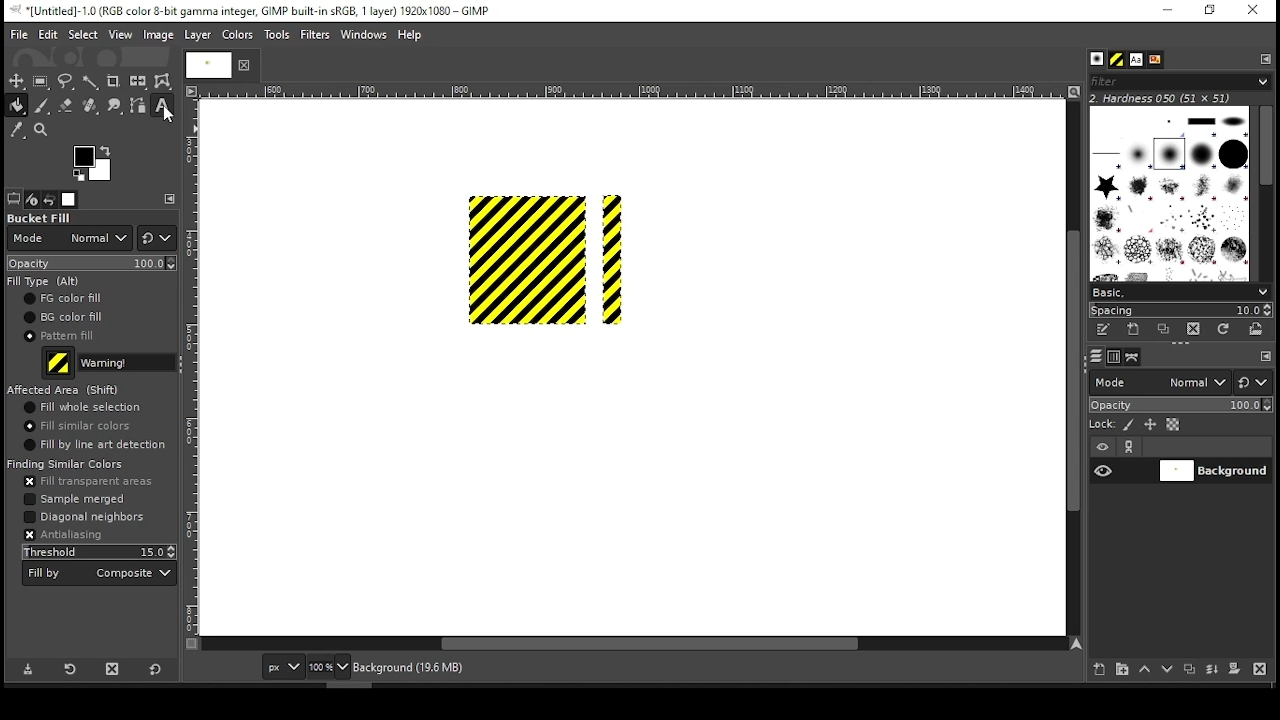 The height and width of the screenshot is (720, 1280). I want to click on spacing, so click(1180, 310).